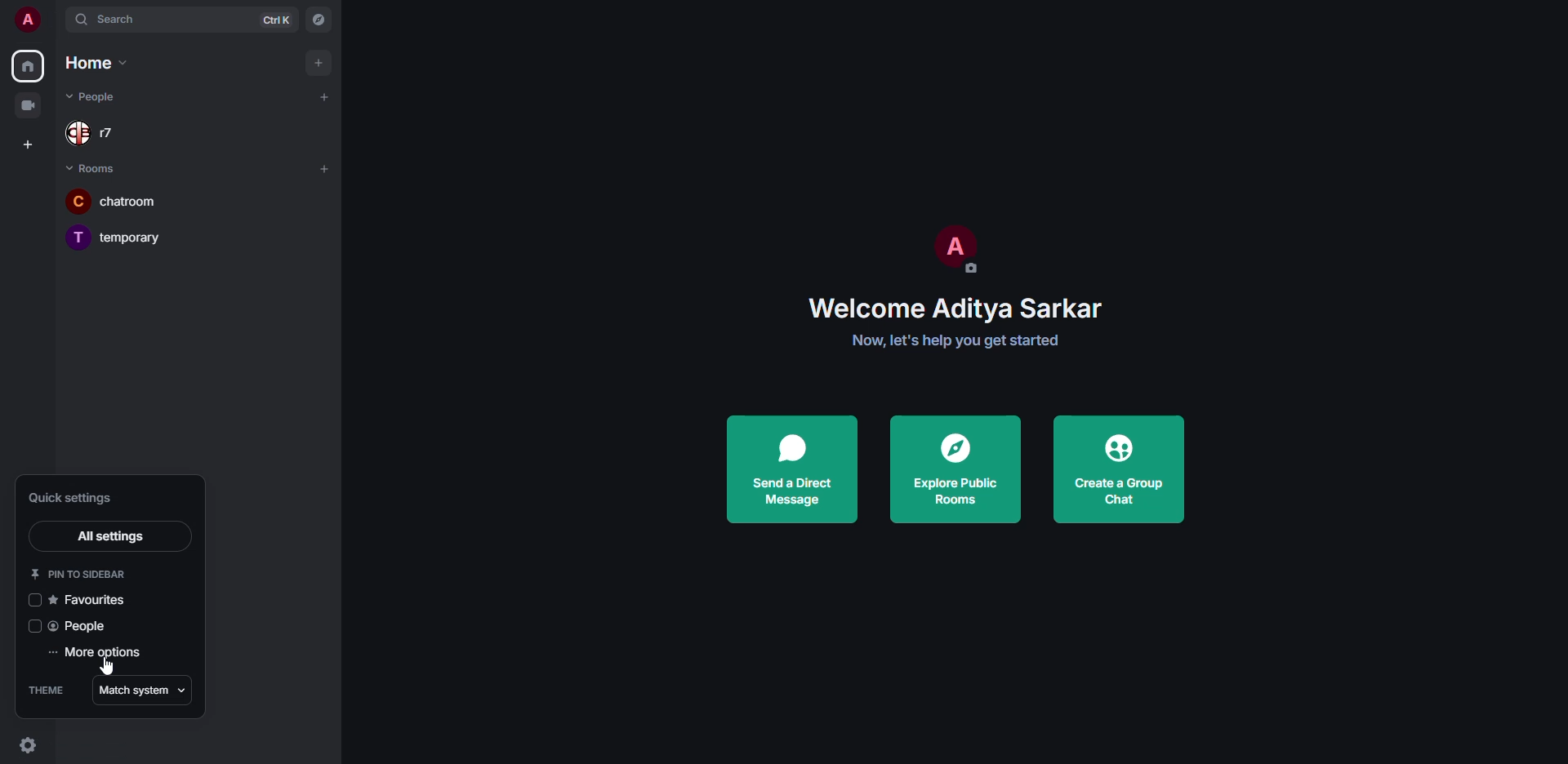  Describe the element at coordinates (148, 688) in the screenshot. I see `match system` at that location.